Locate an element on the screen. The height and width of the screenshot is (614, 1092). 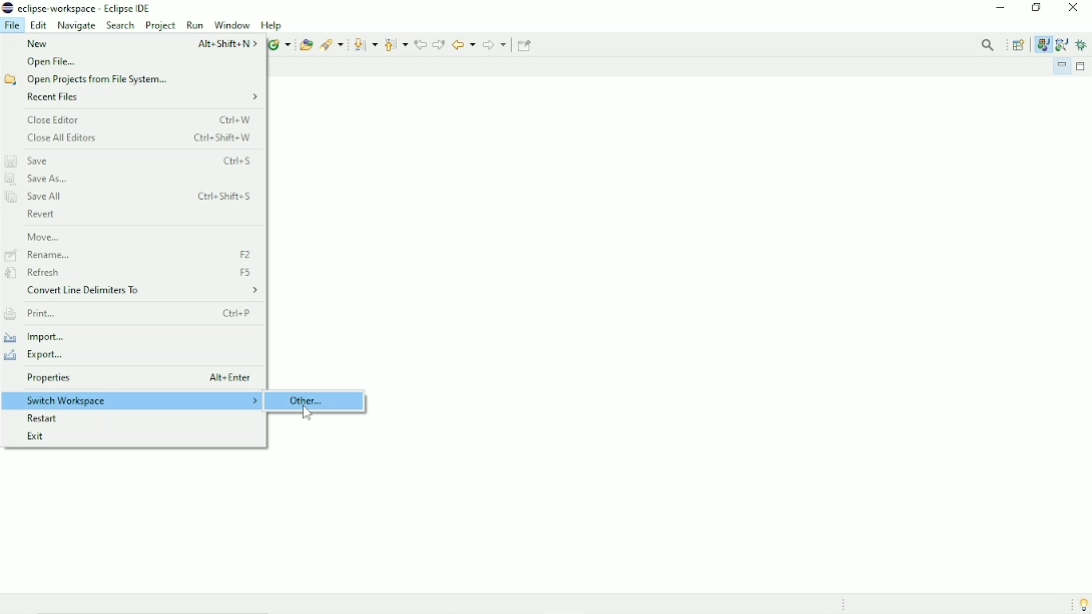
Access commands and other items is located at coordinates (990, 45).